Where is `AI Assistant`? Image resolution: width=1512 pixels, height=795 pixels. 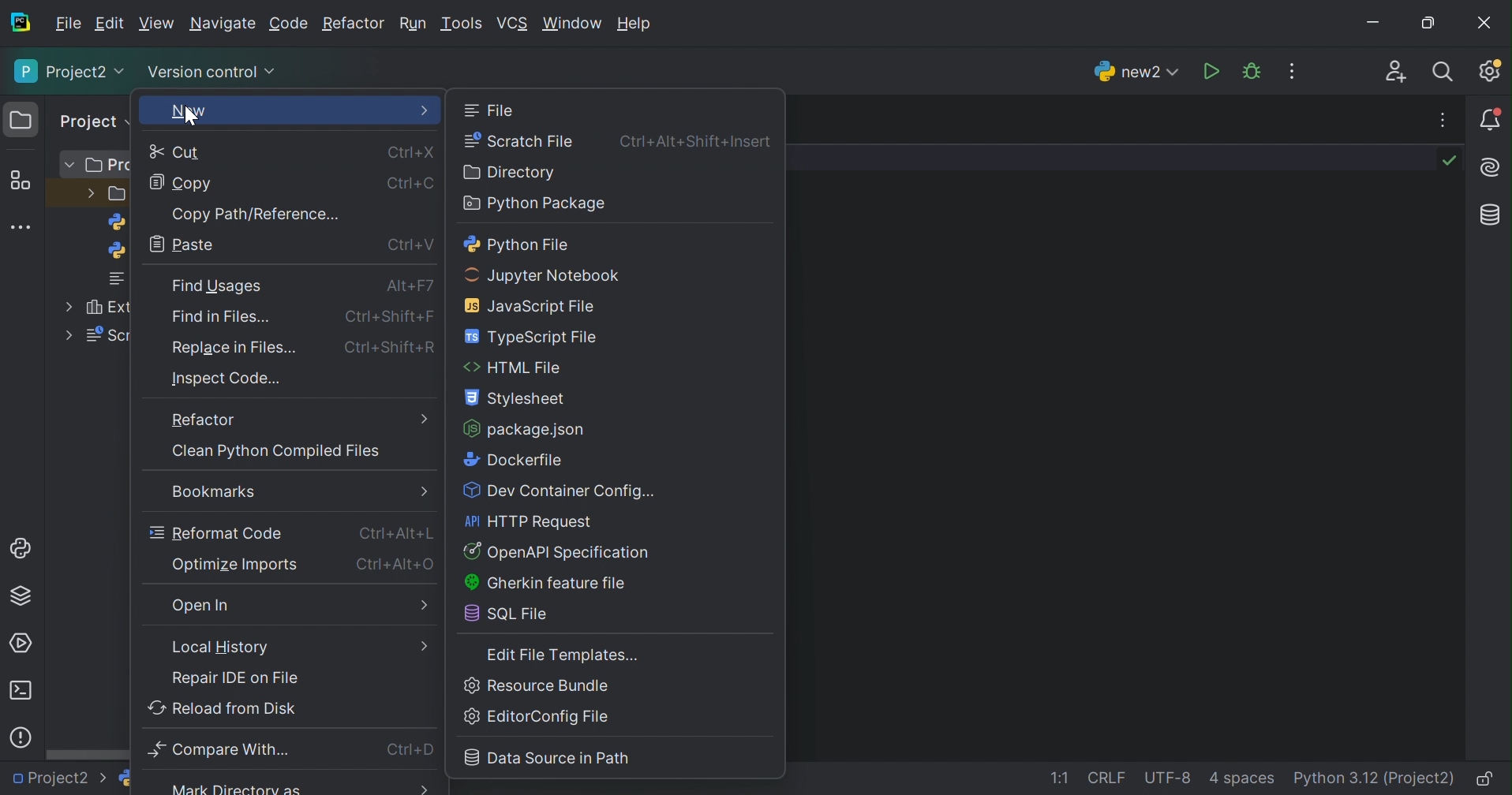 AI Assistant is located at coordinates (1492, 167).